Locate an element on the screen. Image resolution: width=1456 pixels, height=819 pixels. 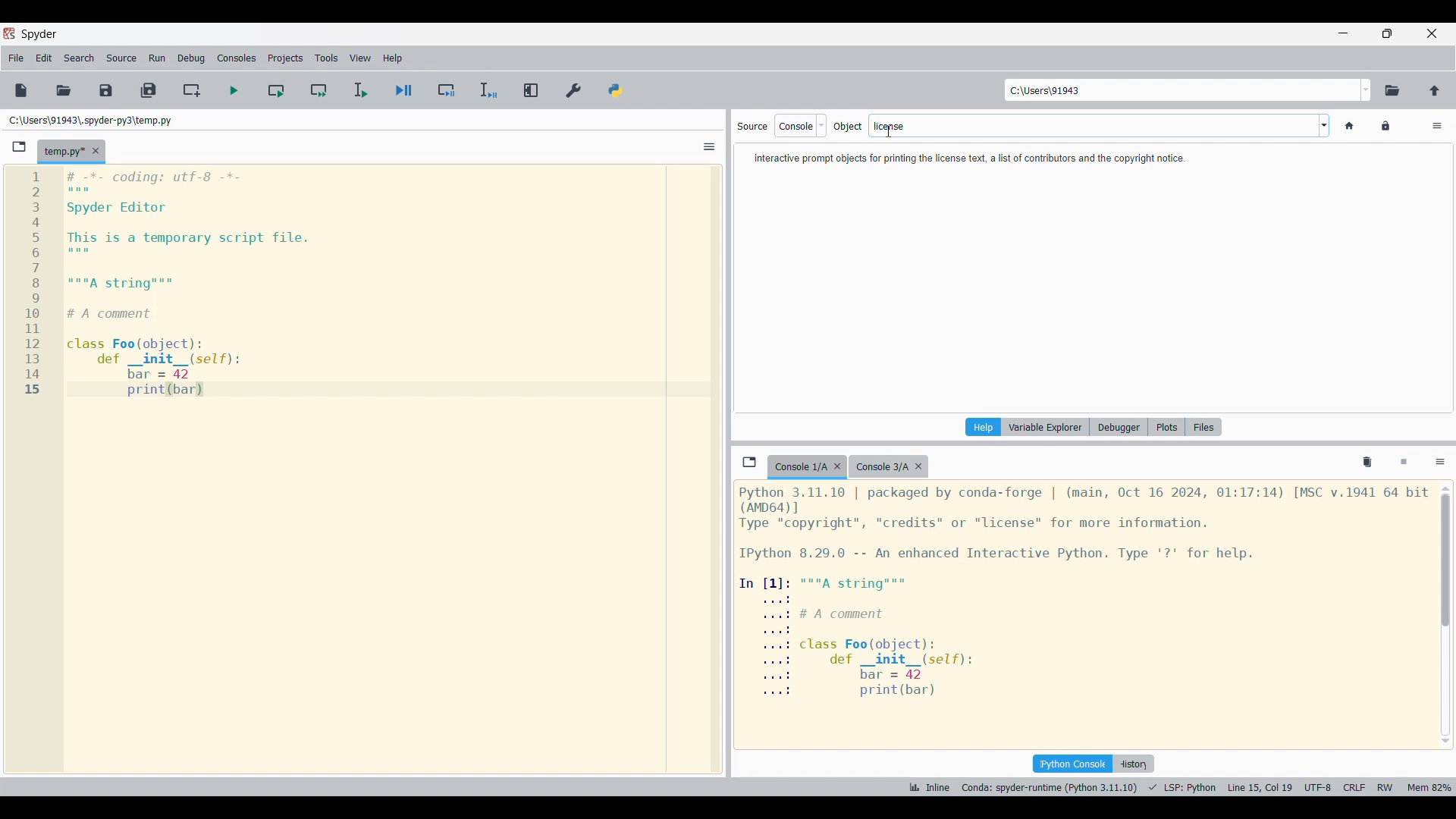
IPython console is located at coordinates (1071, 764).